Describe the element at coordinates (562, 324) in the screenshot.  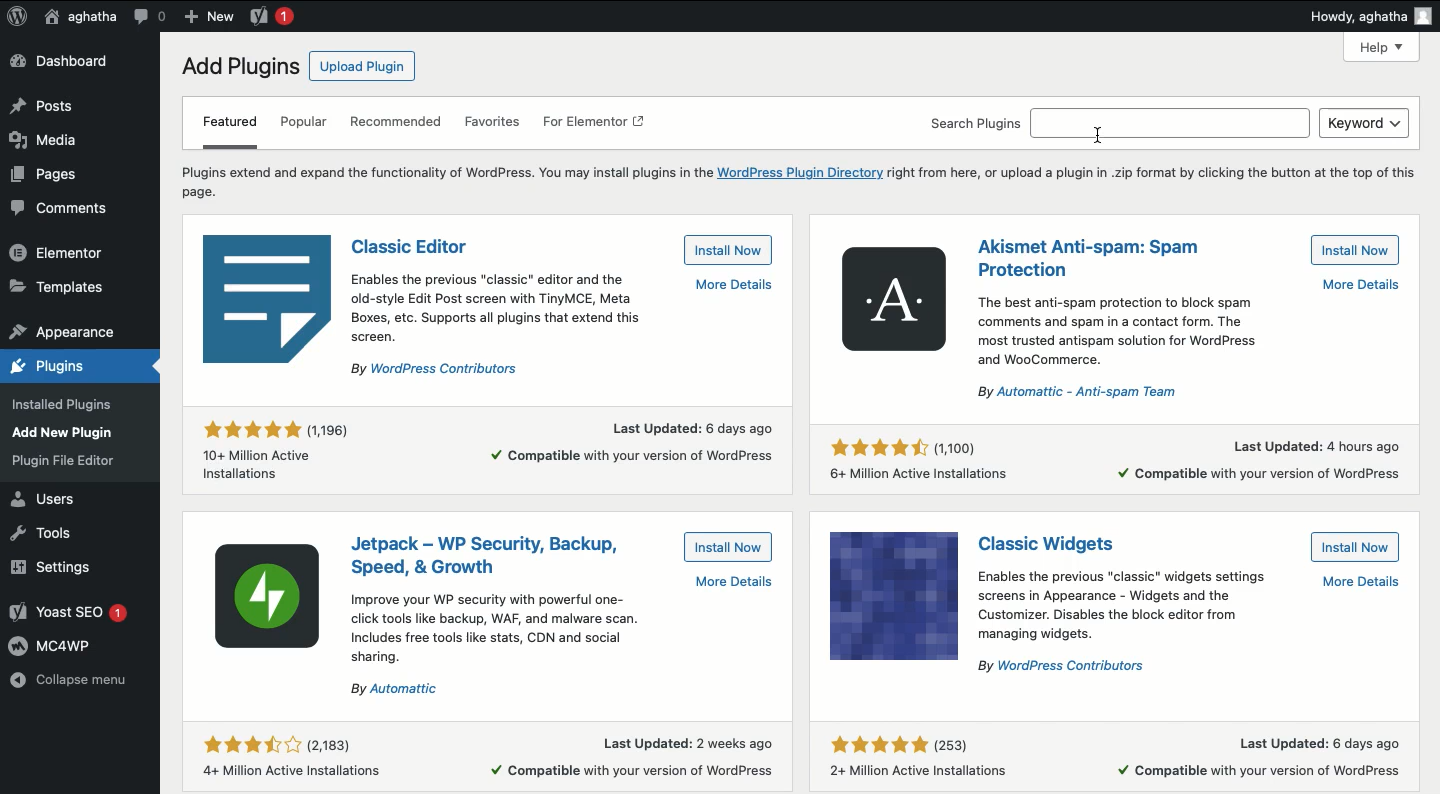
I see `Enables the previous "classic" editor and the
old-style Edit Post screen with TinyMCE, Meta
Boxes, etc. Supports all plugins that extend this
screen.` at that location.